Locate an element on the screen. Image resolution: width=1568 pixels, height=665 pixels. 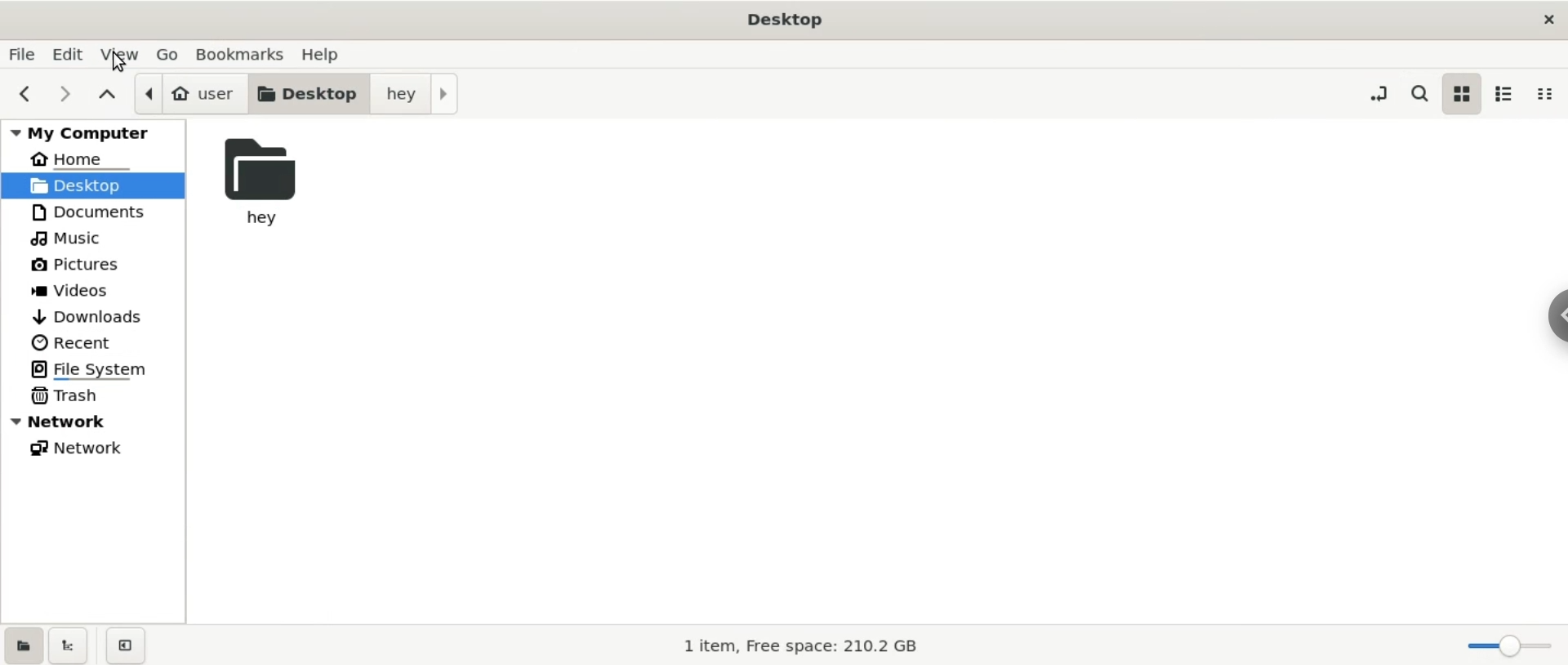
videos is located at coordinates (100, 289).